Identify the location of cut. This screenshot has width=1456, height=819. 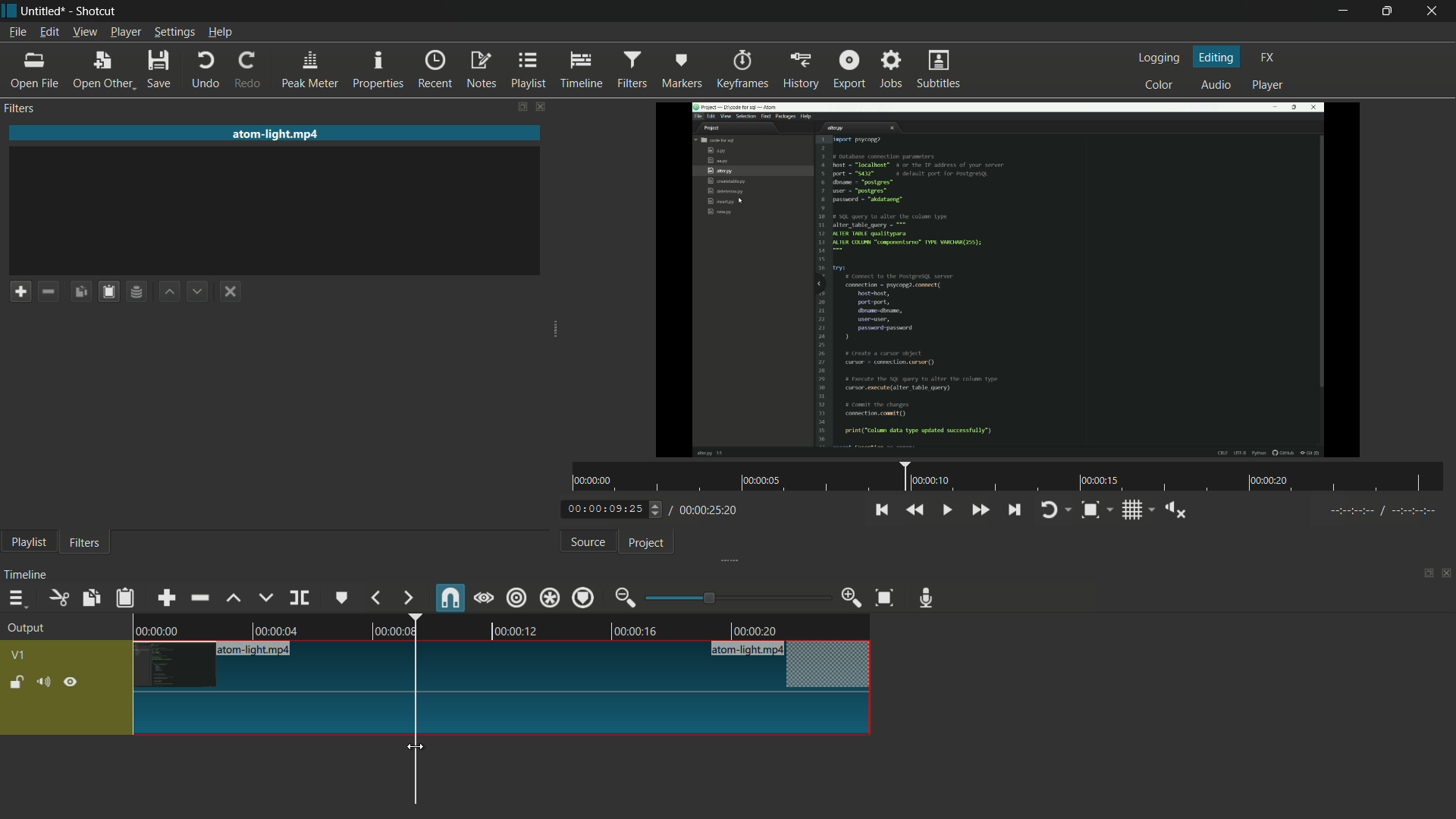
(60, 598).